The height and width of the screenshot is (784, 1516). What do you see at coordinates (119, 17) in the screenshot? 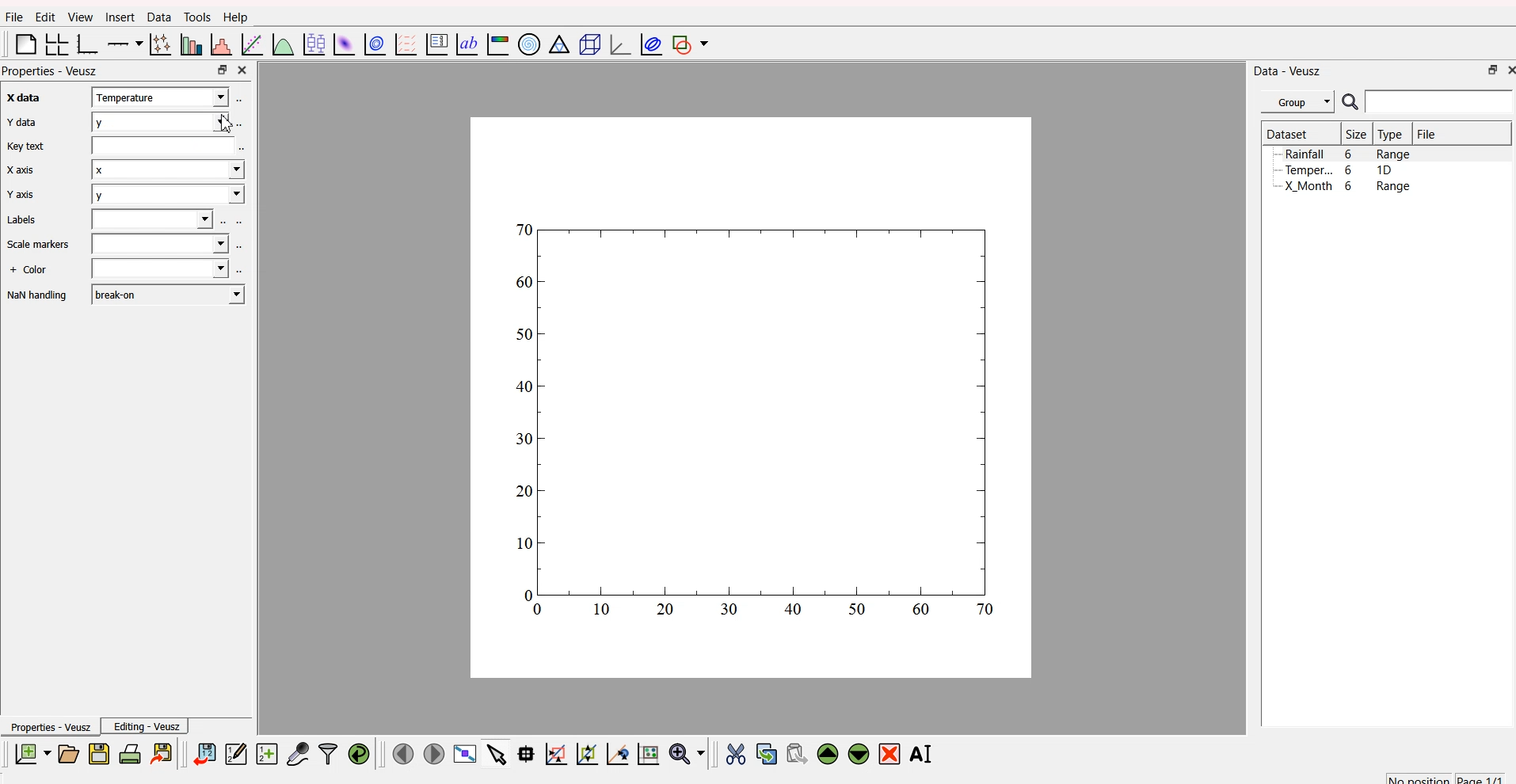
I see `Insert` at bounding box center [119, 17].